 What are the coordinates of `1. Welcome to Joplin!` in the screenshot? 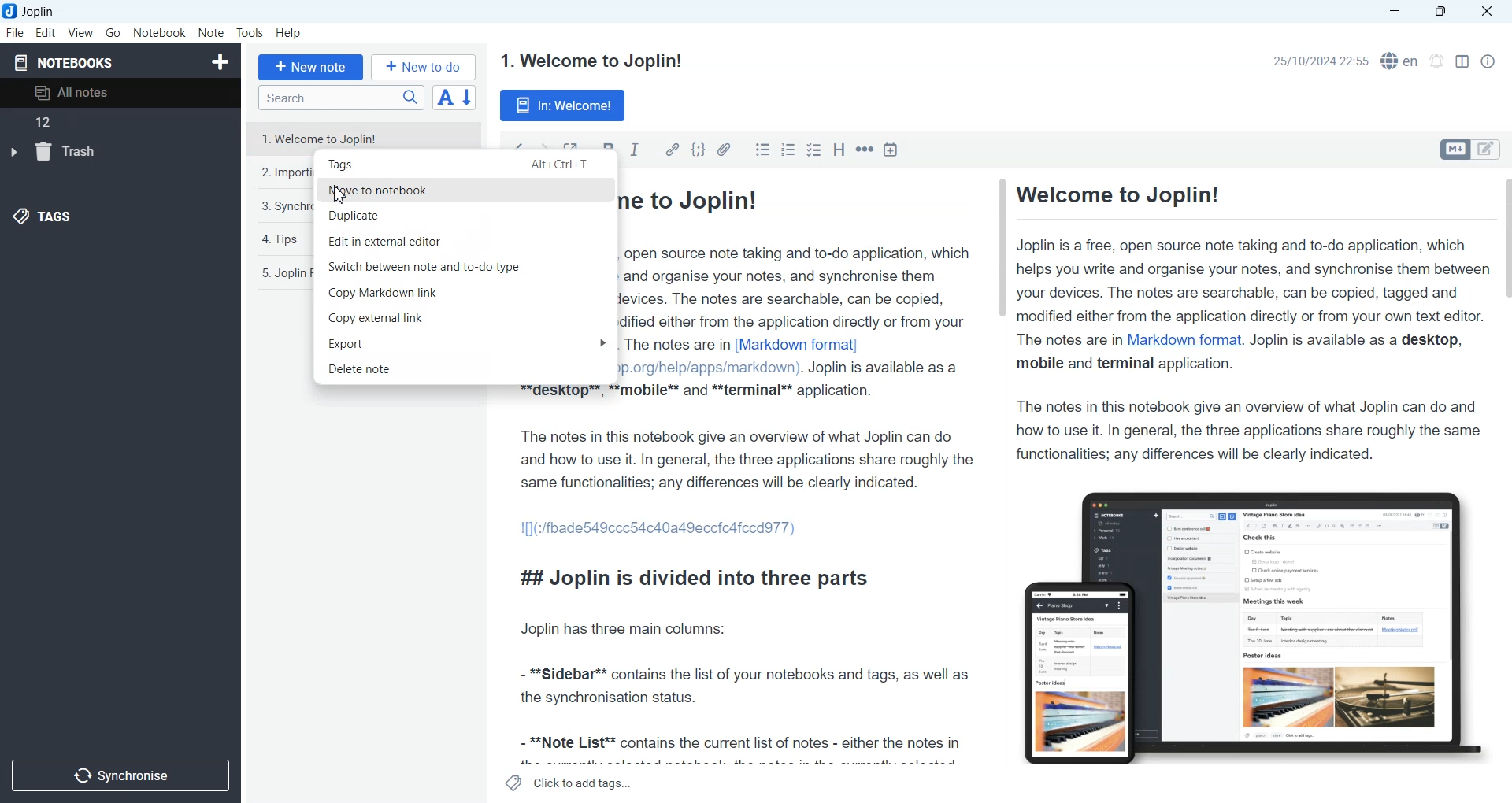 It's located at (363, 135).